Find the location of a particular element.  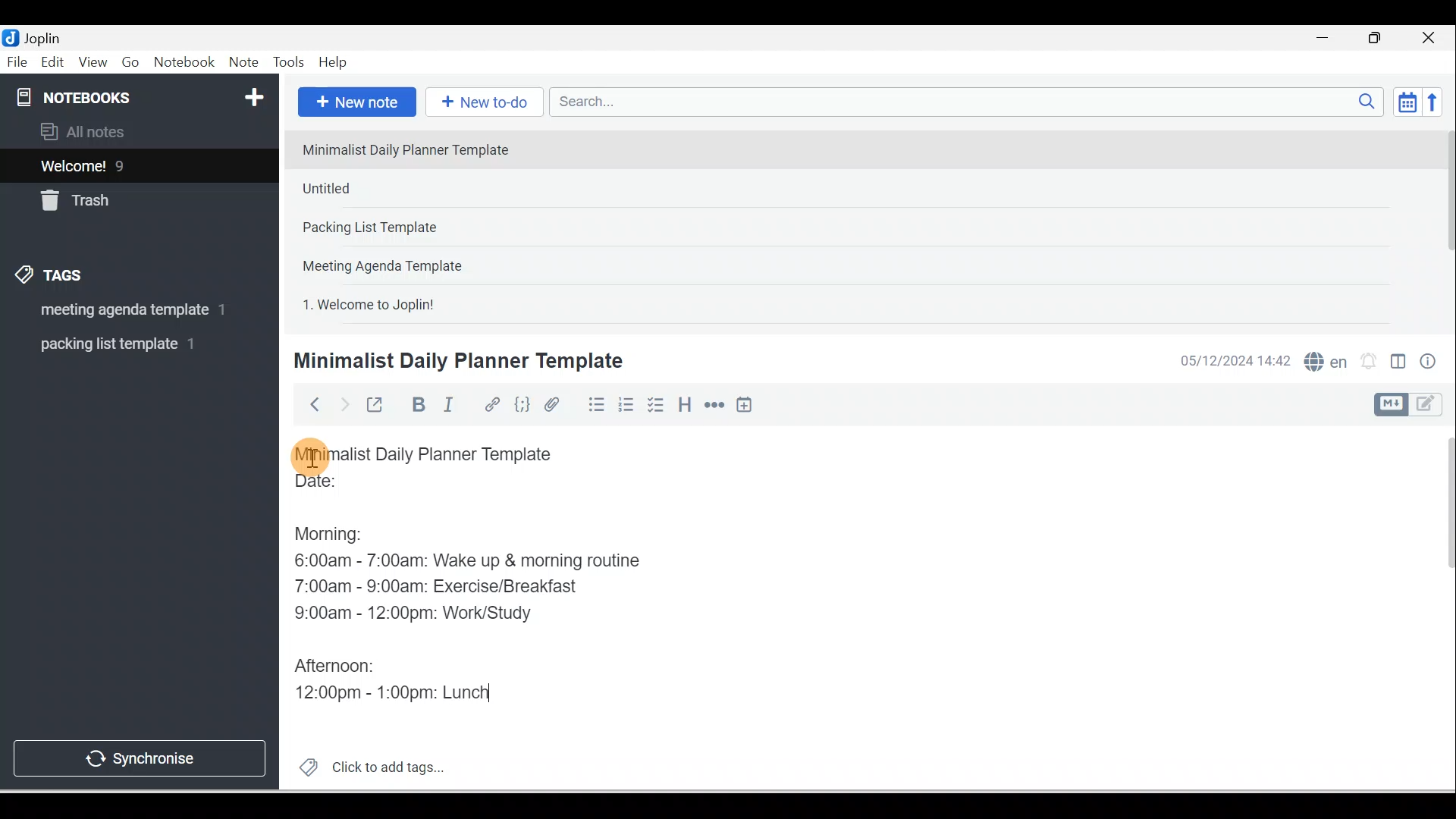

Edit is located at coordinates (54, 63).